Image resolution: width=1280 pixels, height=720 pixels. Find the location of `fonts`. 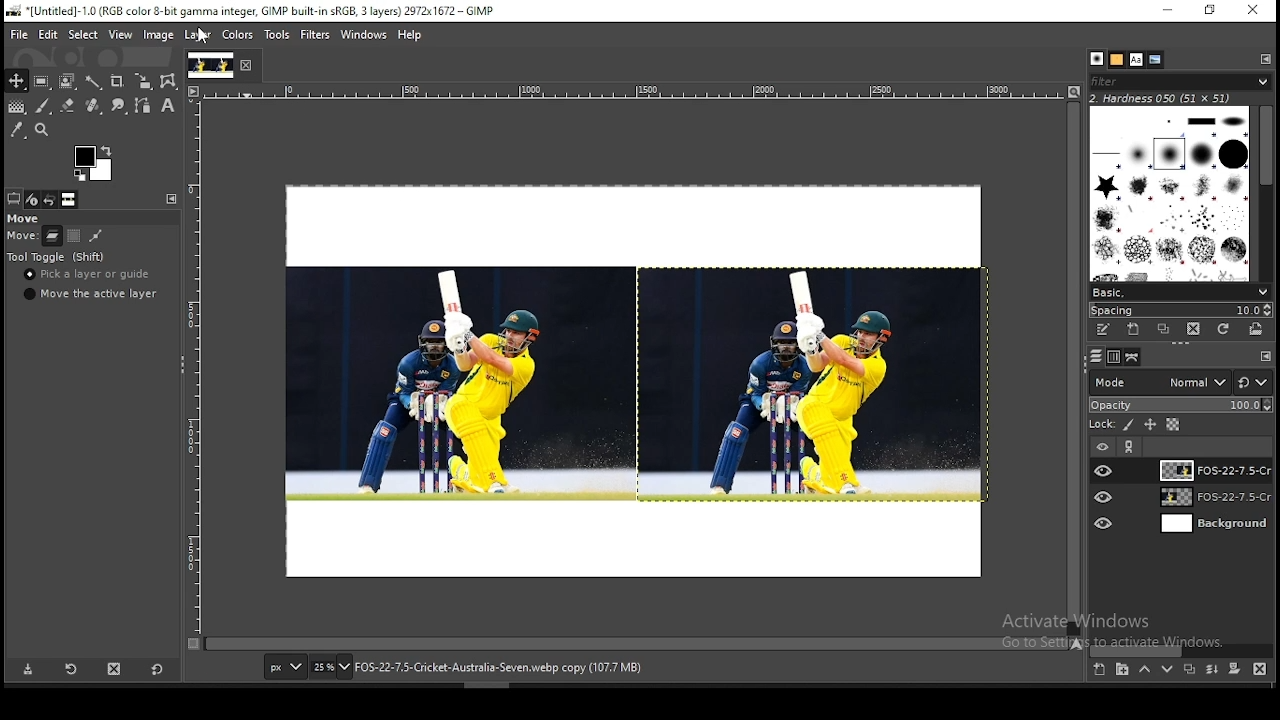

fonts is located at coordinates (1137, 59).